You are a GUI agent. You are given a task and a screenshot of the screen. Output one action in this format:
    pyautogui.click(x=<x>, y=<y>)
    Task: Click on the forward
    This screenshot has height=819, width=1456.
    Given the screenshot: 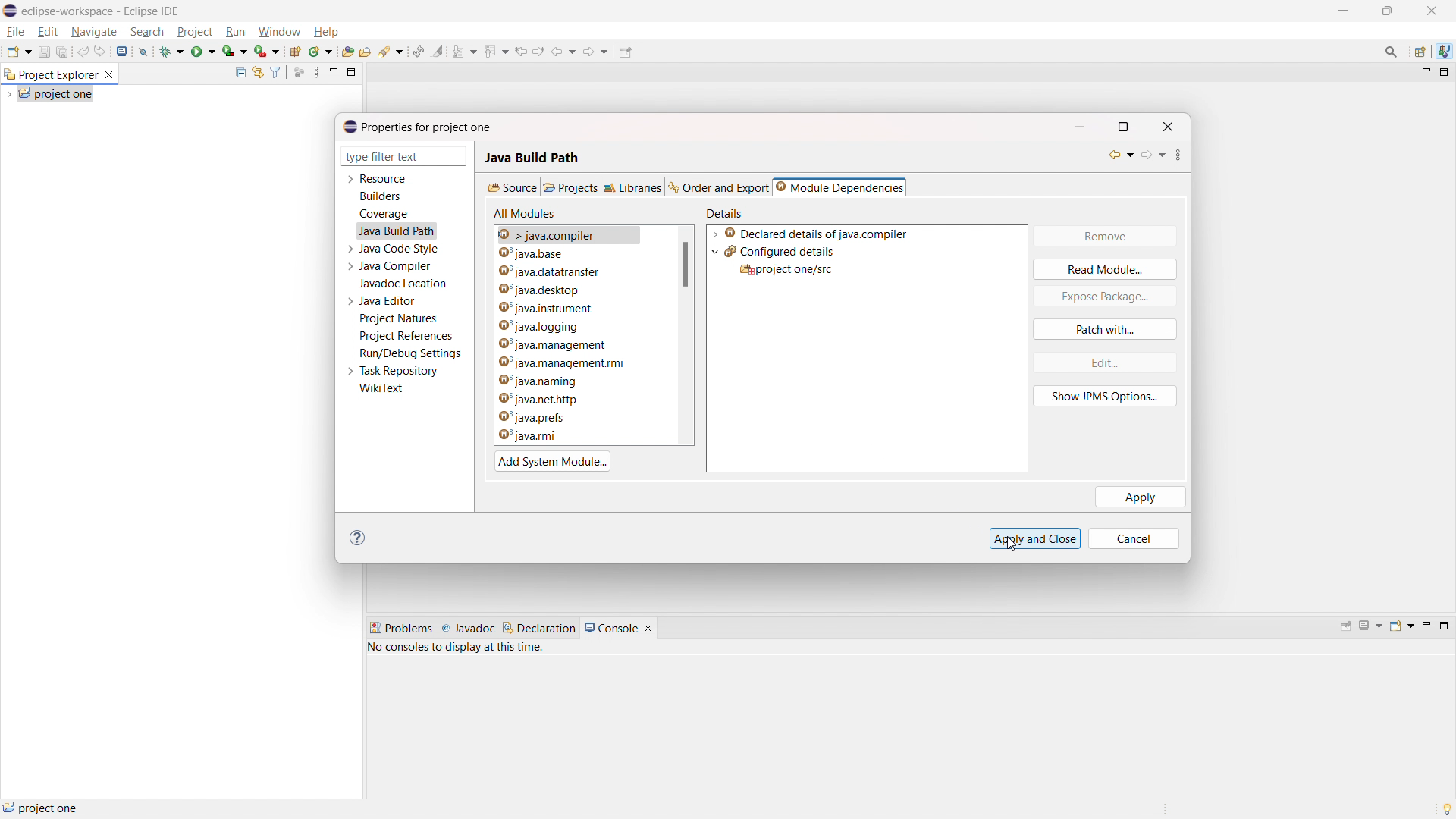 What is the action you would take?
    pyautogui.click(x=597, y=51)
    